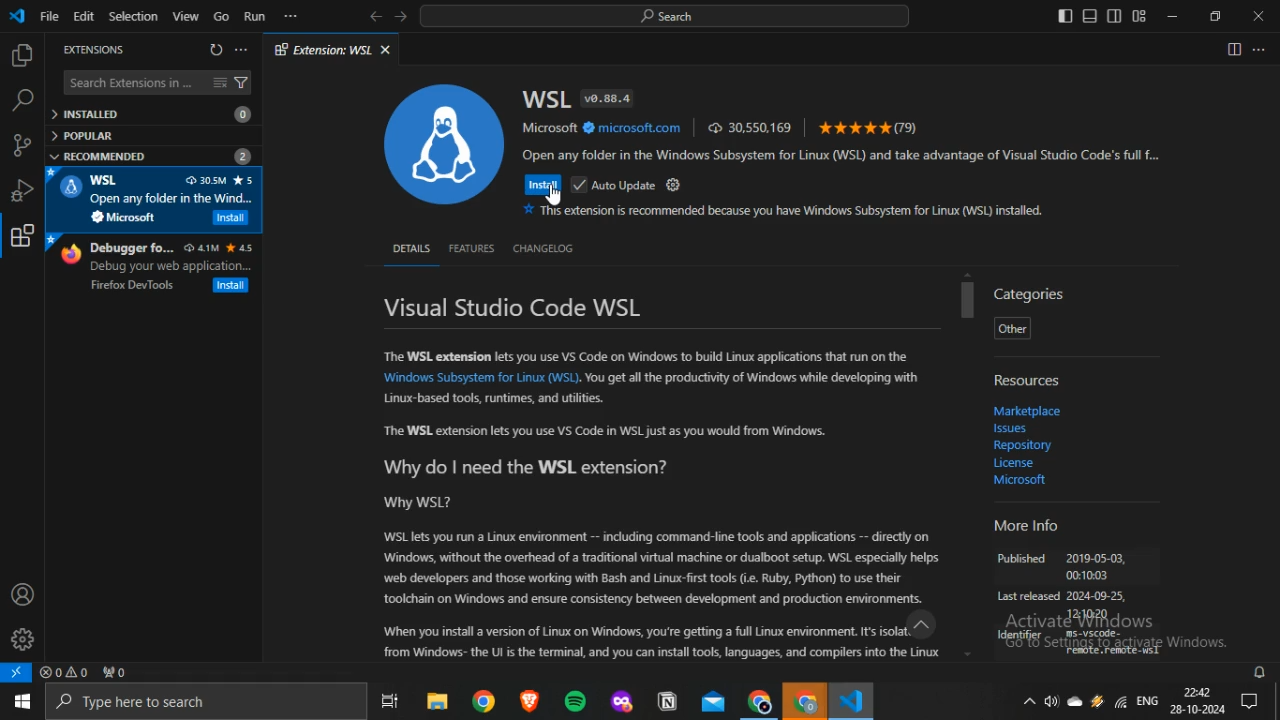 The image size is (1280, 720). I want to click on ‘Windows Subsystem for Linux (WSL), so click(479, 377).